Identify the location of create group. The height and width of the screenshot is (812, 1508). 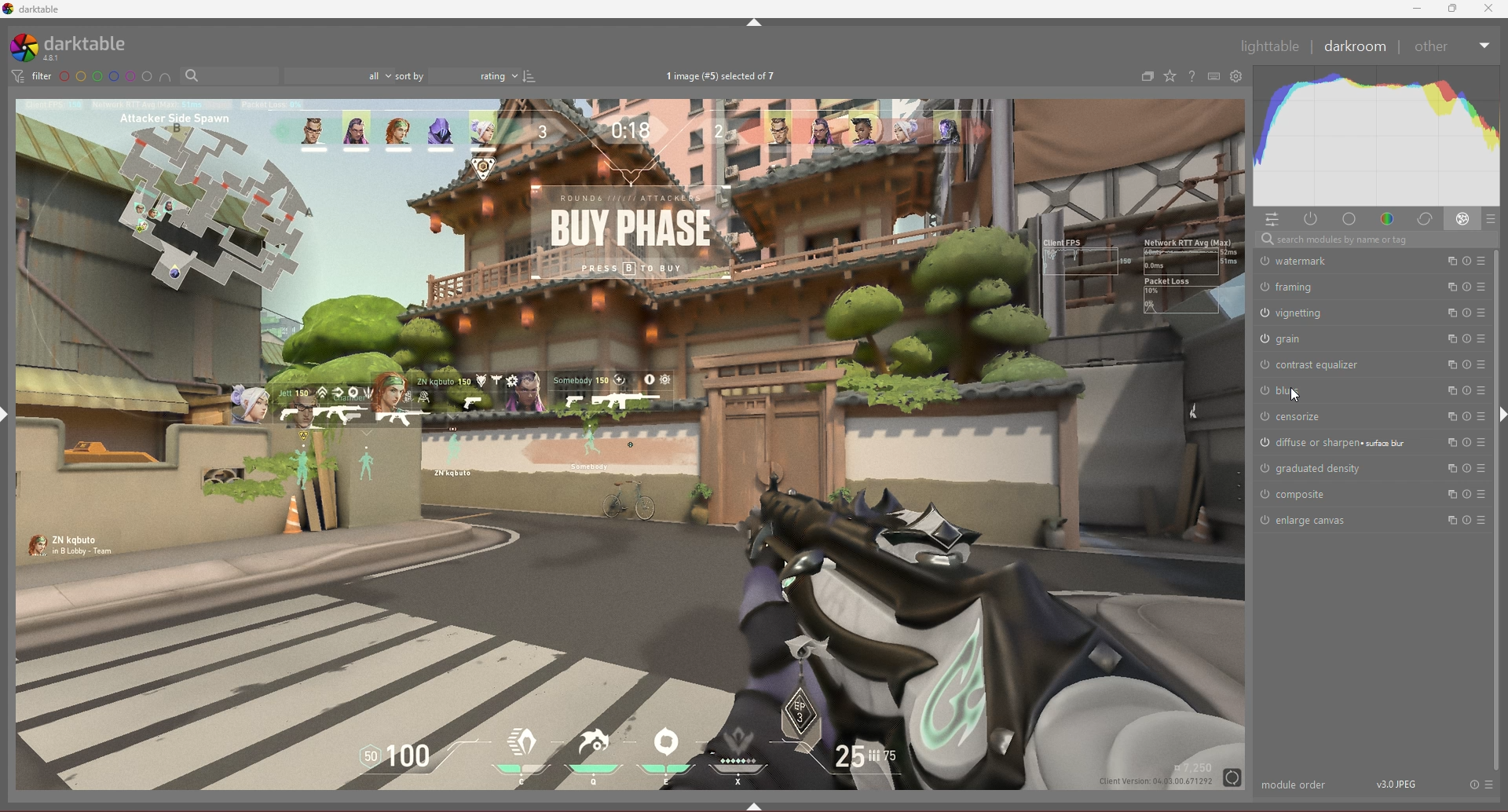
(1147, 76).